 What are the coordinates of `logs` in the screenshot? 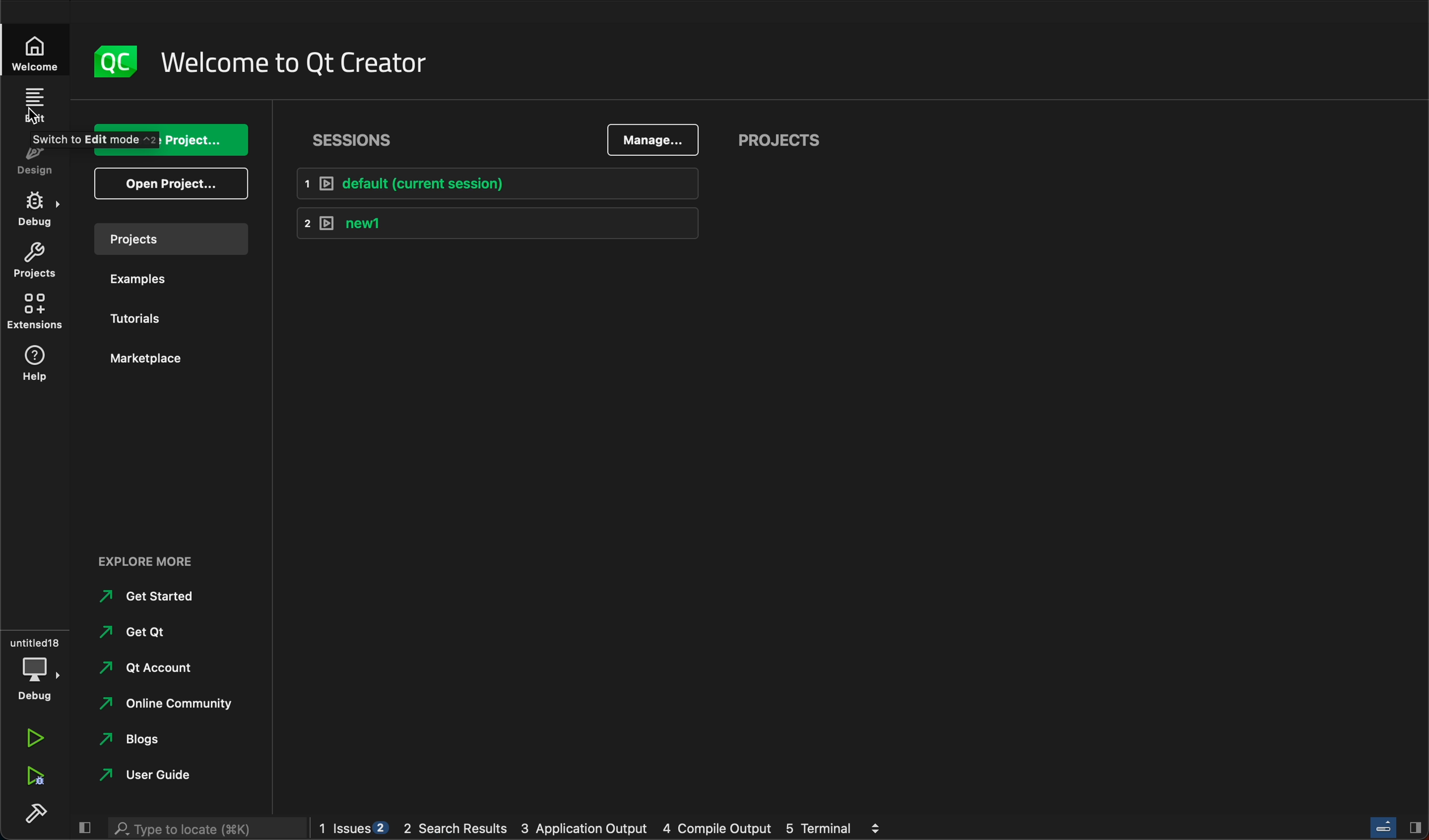 It's located at (610, 829).